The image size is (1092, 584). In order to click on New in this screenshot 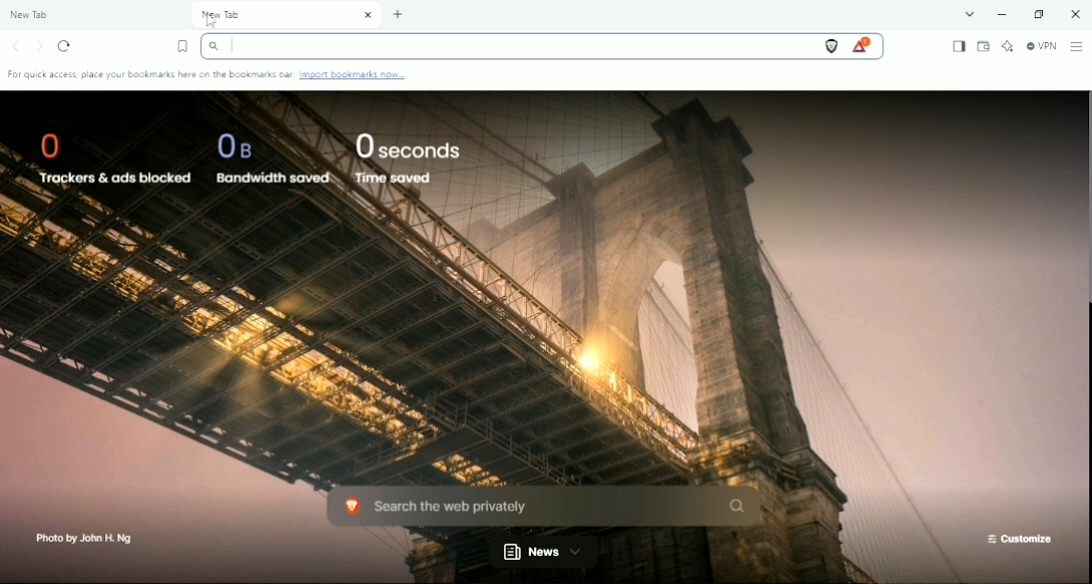, I will do `click(543, 553)`.